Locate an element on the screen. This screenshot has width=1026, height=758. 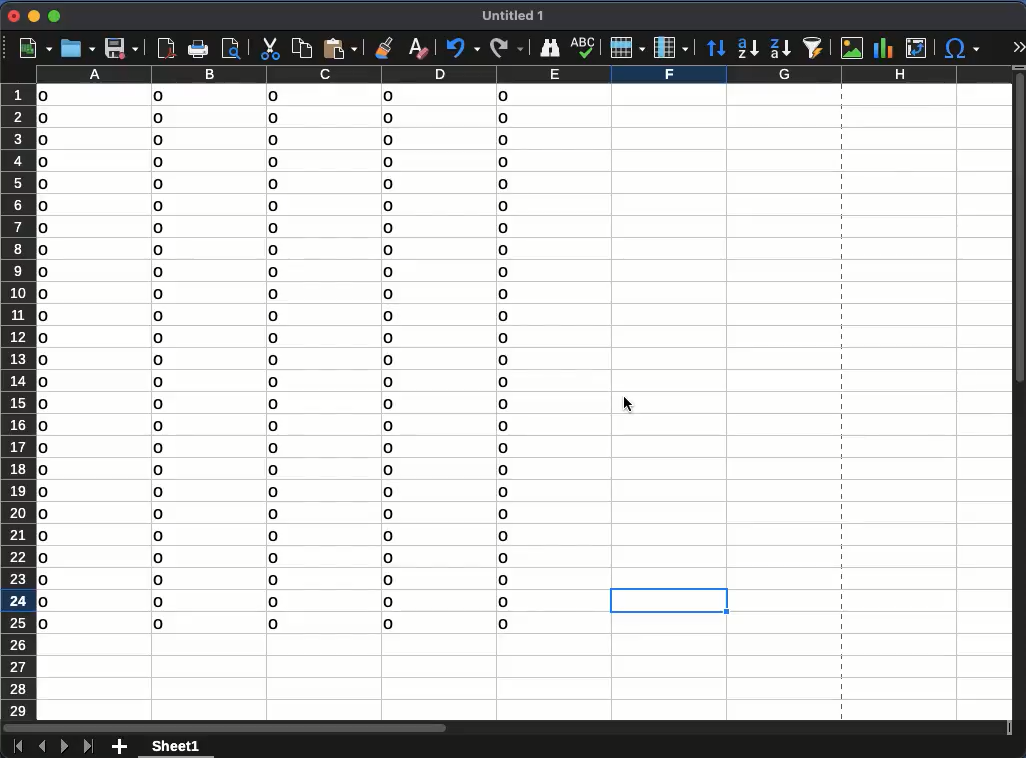
new is located at coordinates (34, 49).